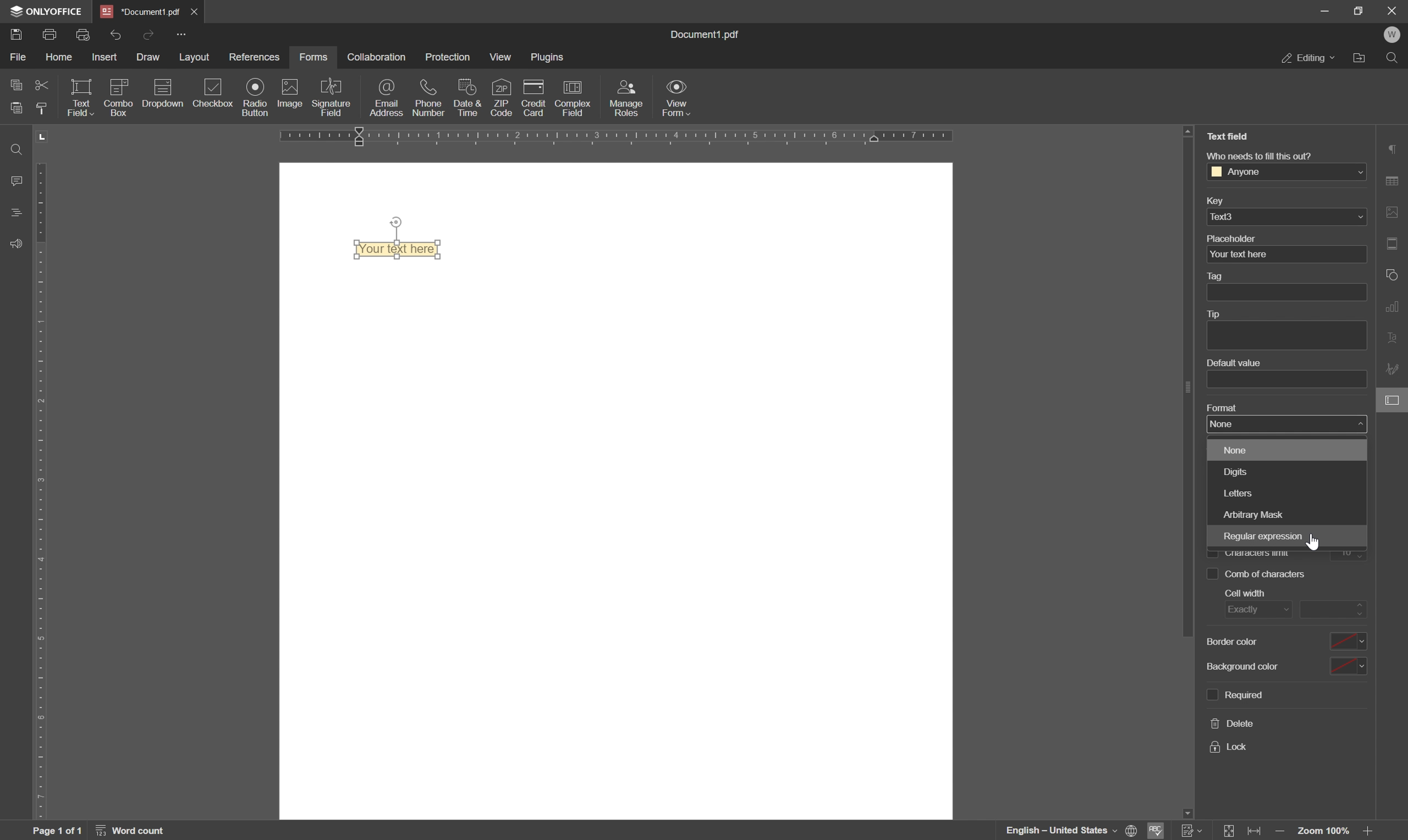 The height and width of the screenshot is (840, 1408). What do you see at coordinates (1357, 173) in the screenshot?
I see `drop down` at bounding box center [1357, 173].